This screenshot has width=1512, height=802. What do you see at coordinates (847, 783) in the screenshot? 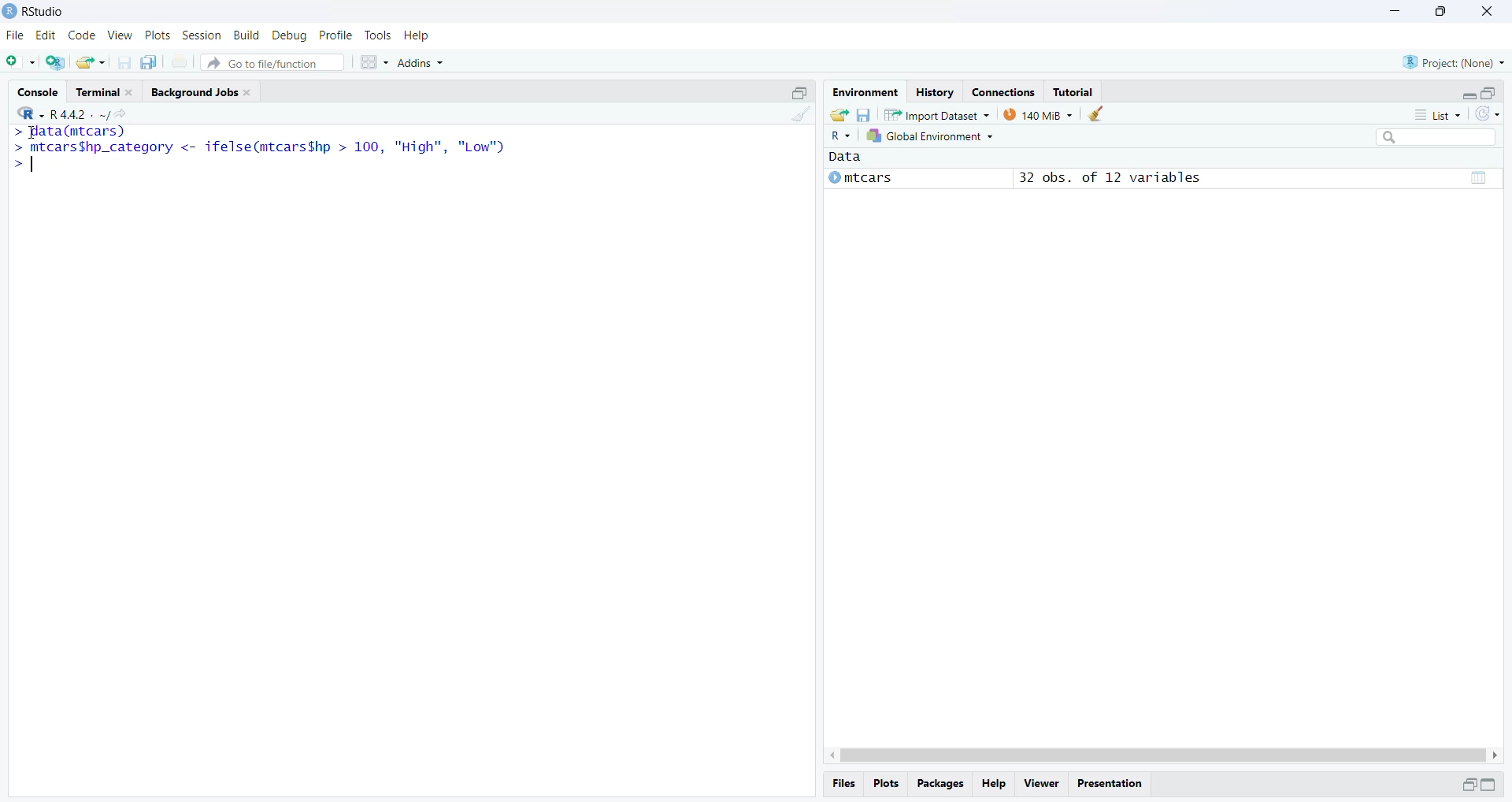
I see `Files` at bounding box center [847, 783].